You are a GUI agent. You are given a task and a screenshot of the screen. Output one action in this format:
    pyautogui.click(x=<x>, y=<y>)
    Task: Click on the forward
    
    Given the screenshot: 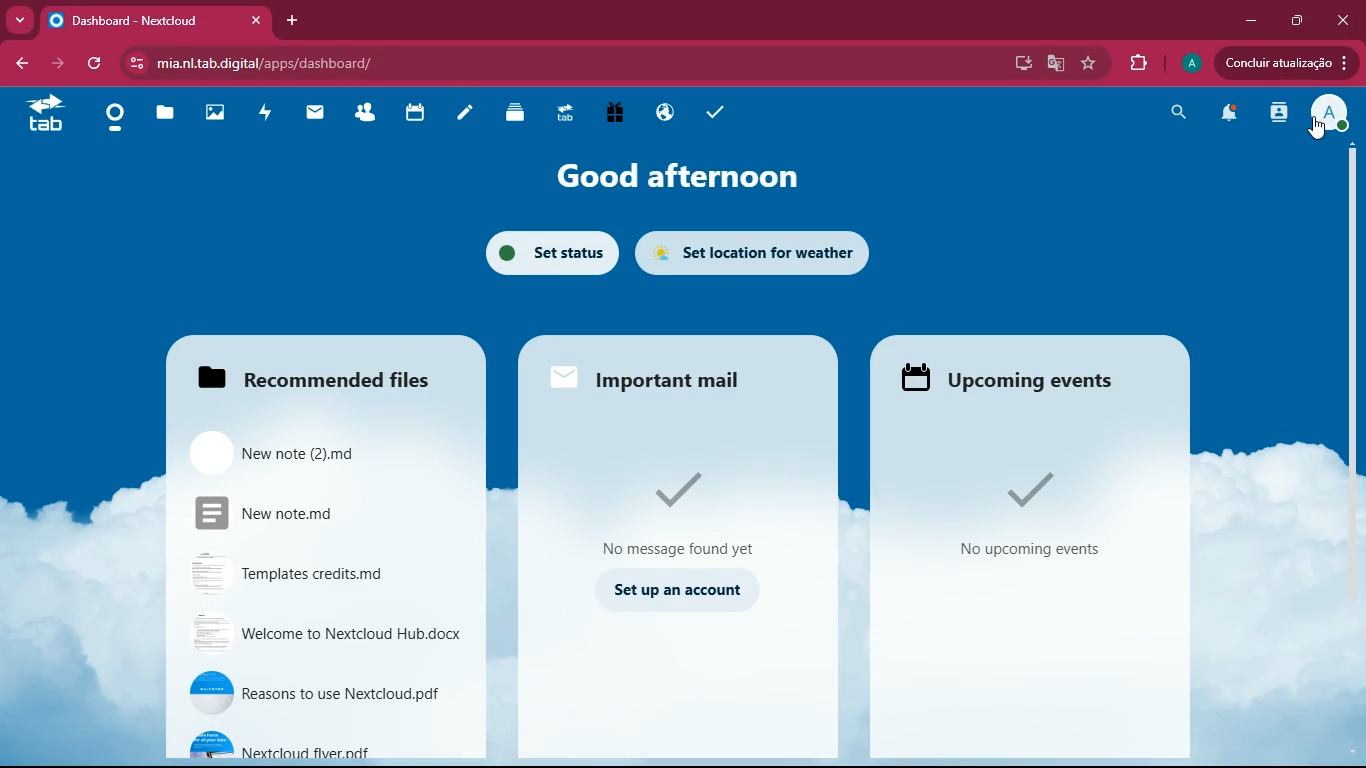 What is the action you would take?
    pyautogui.click(x=61, y=64)
    